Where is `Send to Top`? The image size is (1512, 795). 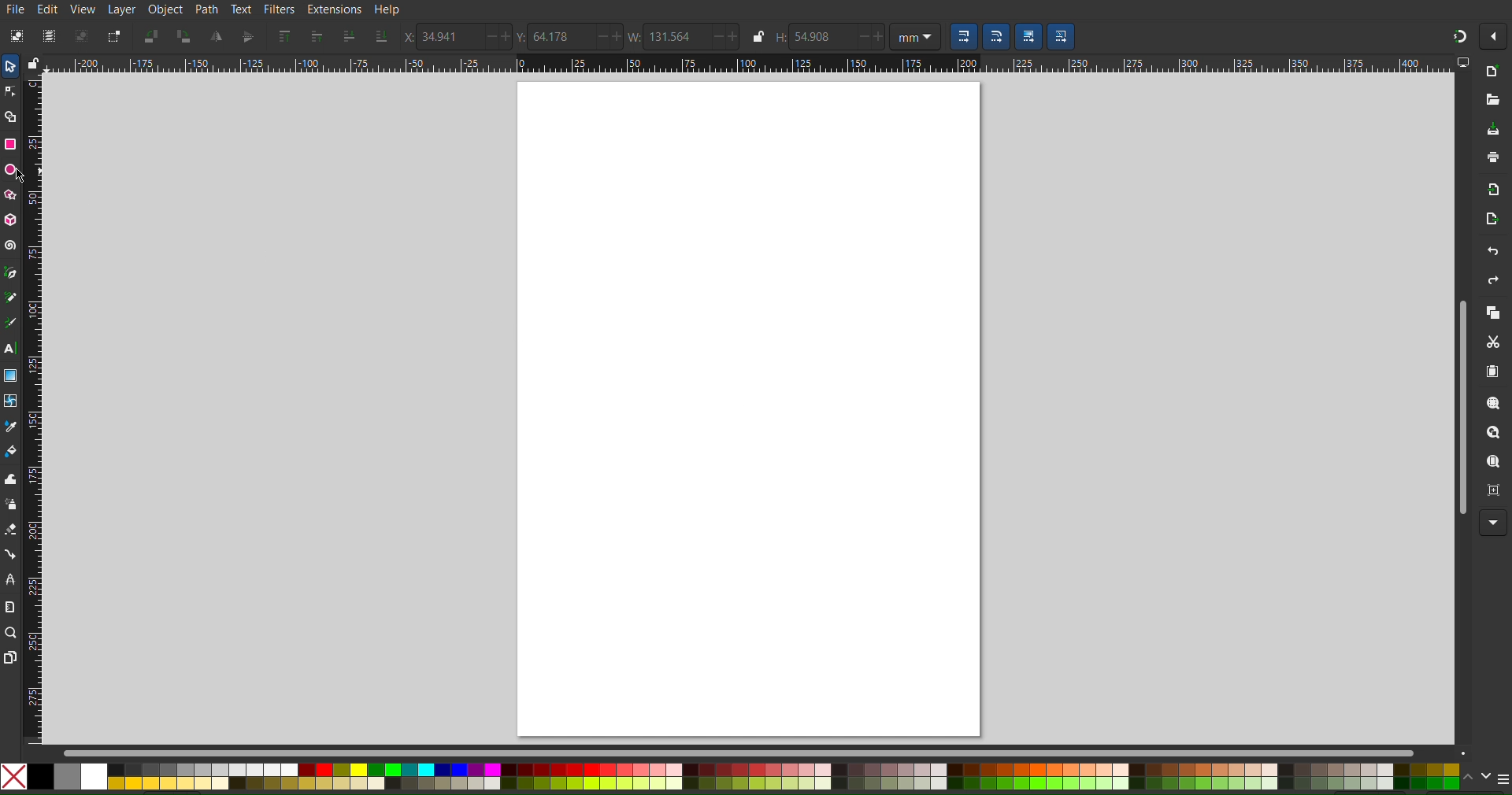 Send to Top is located at coordinates (283, 36).